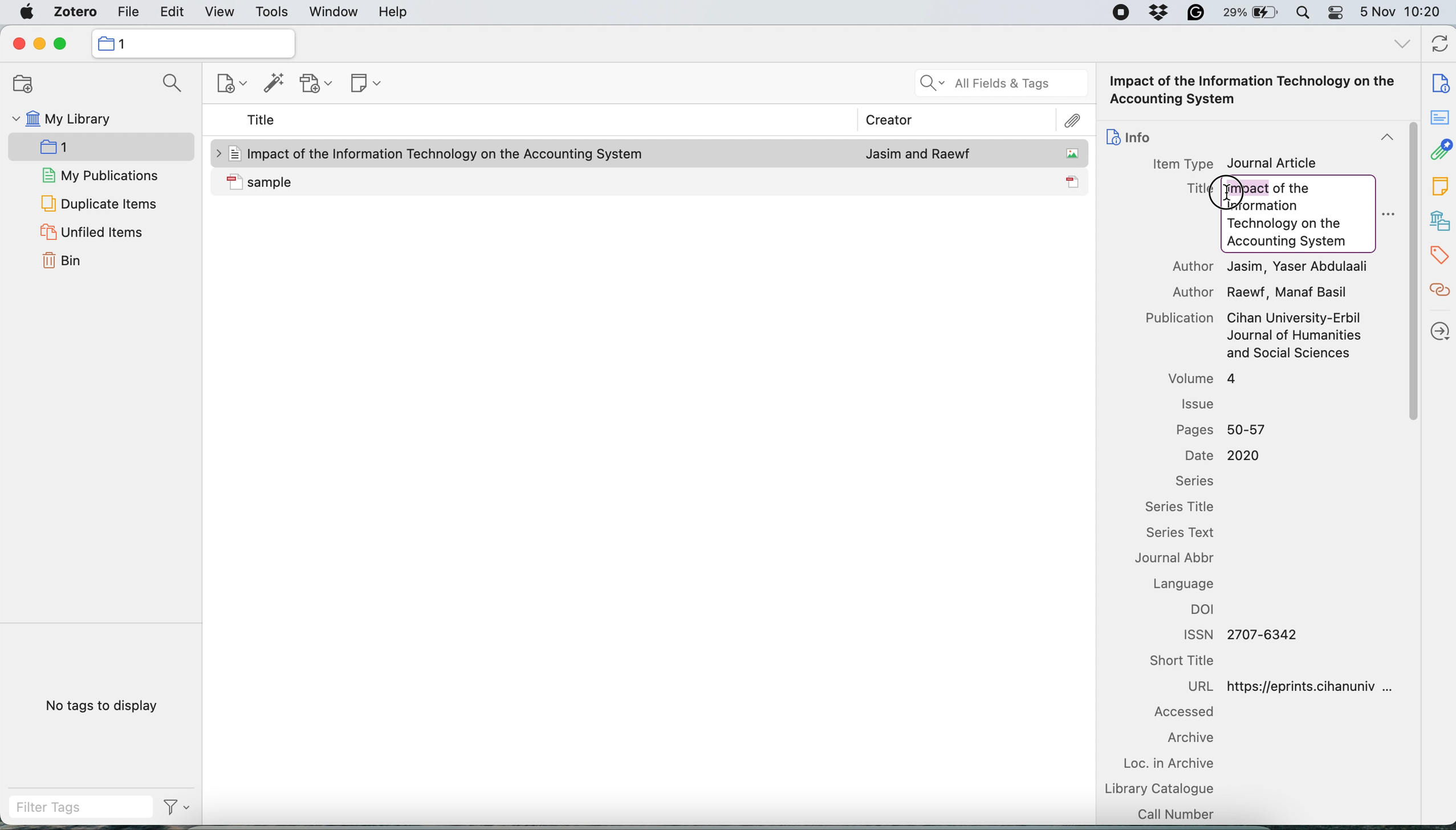 The height and width of the screenshot is (830, 1456). Describe the element at coordinates (1401, 44) in the screenshot. I see `all tags` at that location.